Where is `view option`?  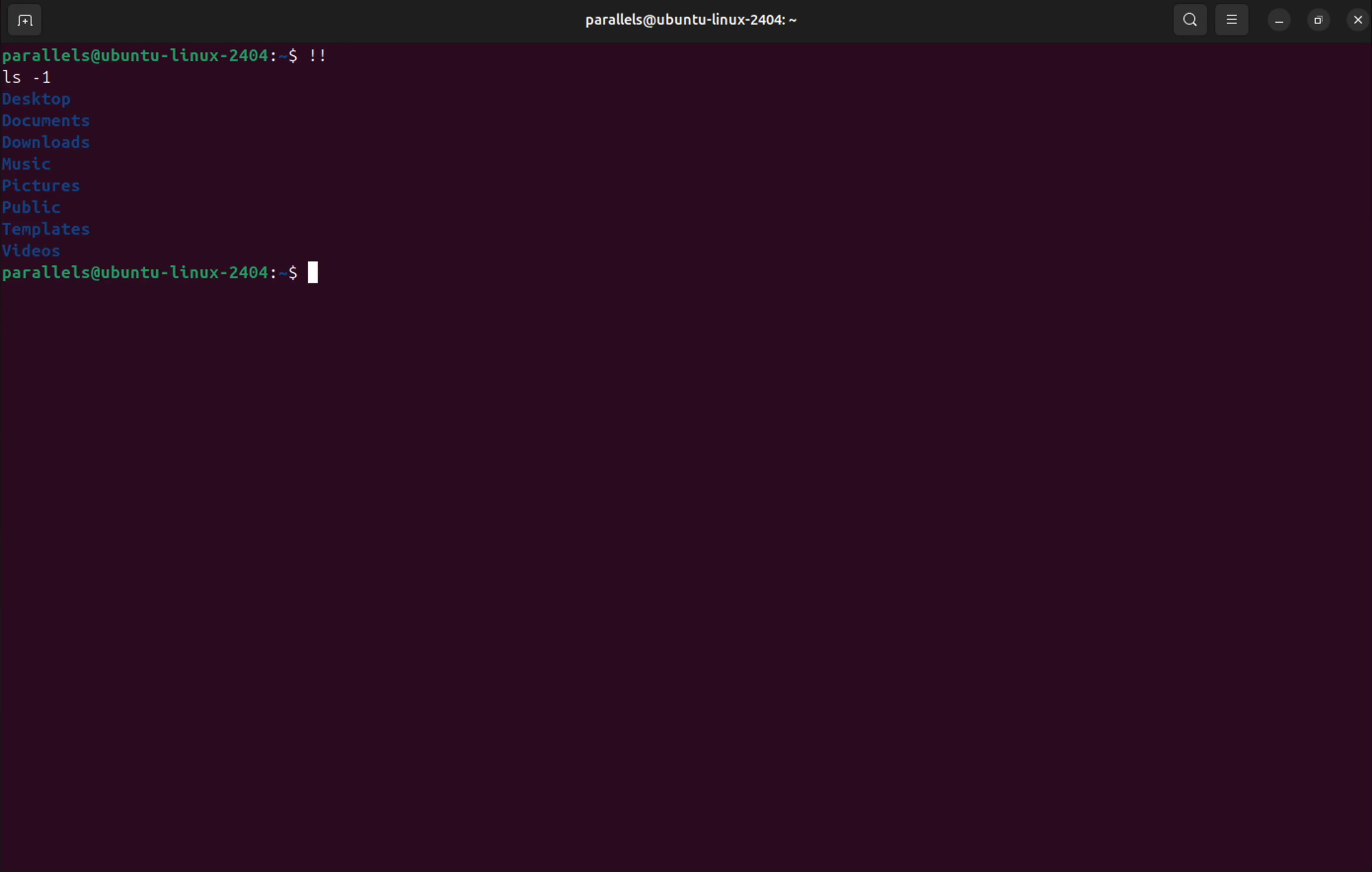 view option is located at coordinates (1234, 21).